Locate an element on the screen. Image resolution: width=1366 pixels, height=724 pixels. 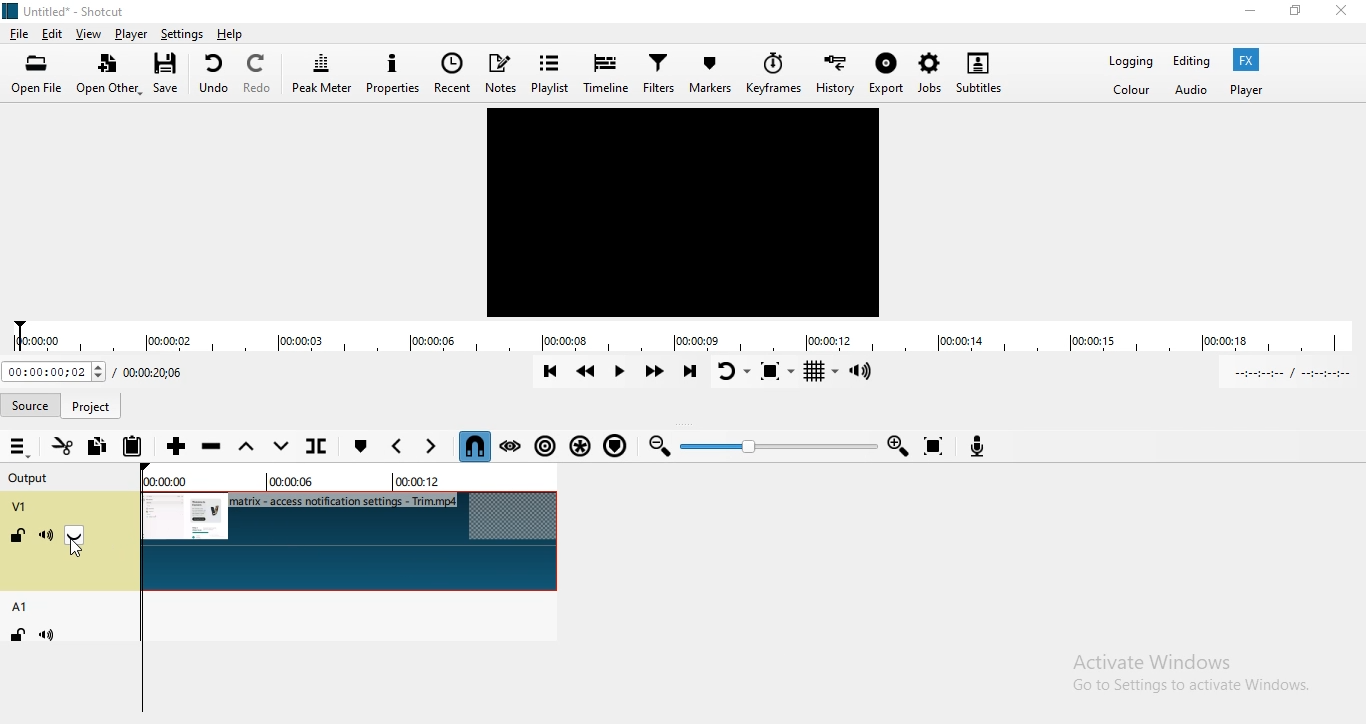
Player is located at coordinates (132, 34).